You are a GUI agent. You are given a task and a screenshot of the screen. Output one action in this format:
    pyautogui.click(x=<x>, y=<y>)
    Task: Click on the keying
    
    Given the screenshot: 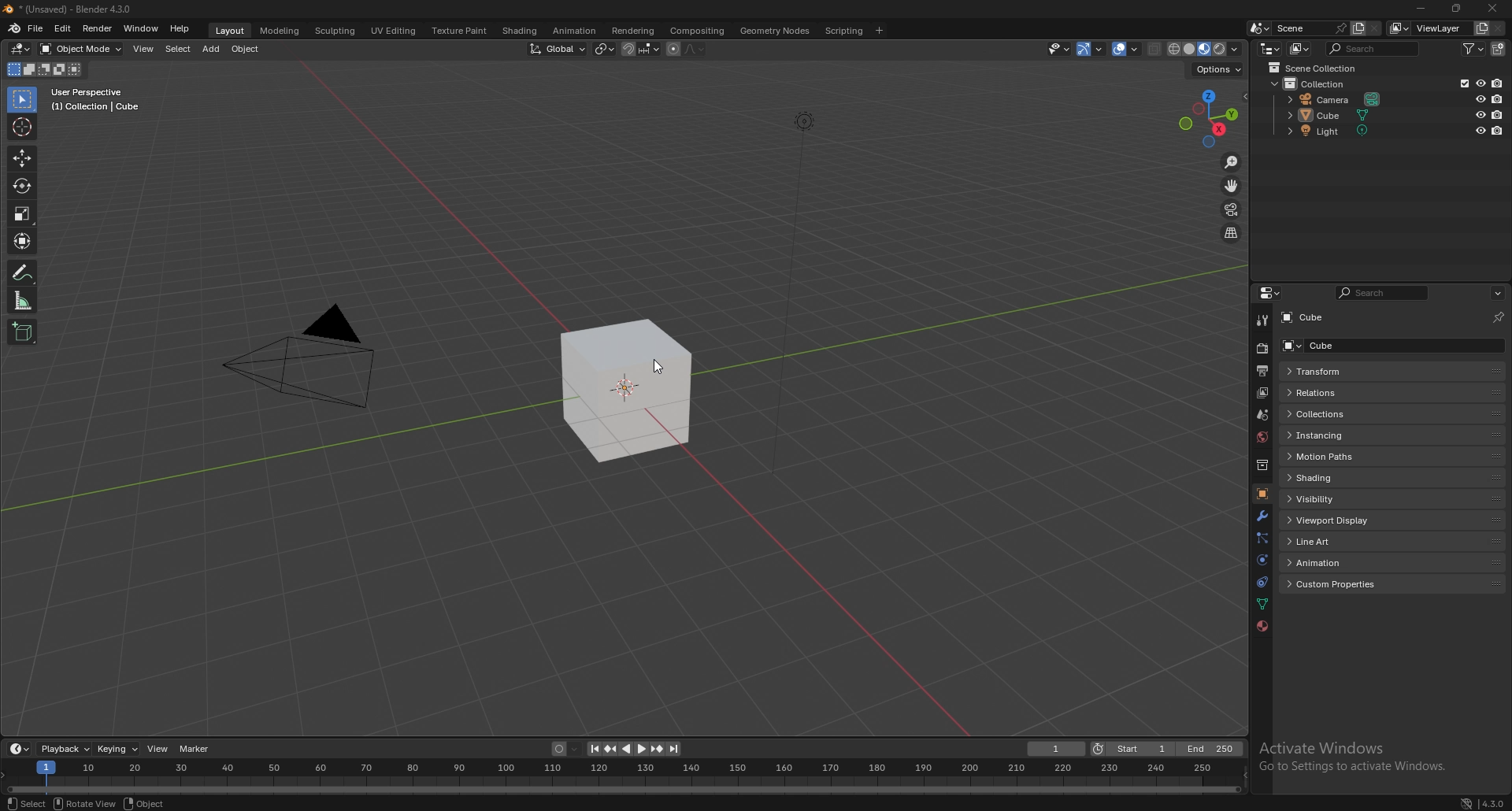 What is the action you would take?
    pyautogui.click(x=116, y=750)
    